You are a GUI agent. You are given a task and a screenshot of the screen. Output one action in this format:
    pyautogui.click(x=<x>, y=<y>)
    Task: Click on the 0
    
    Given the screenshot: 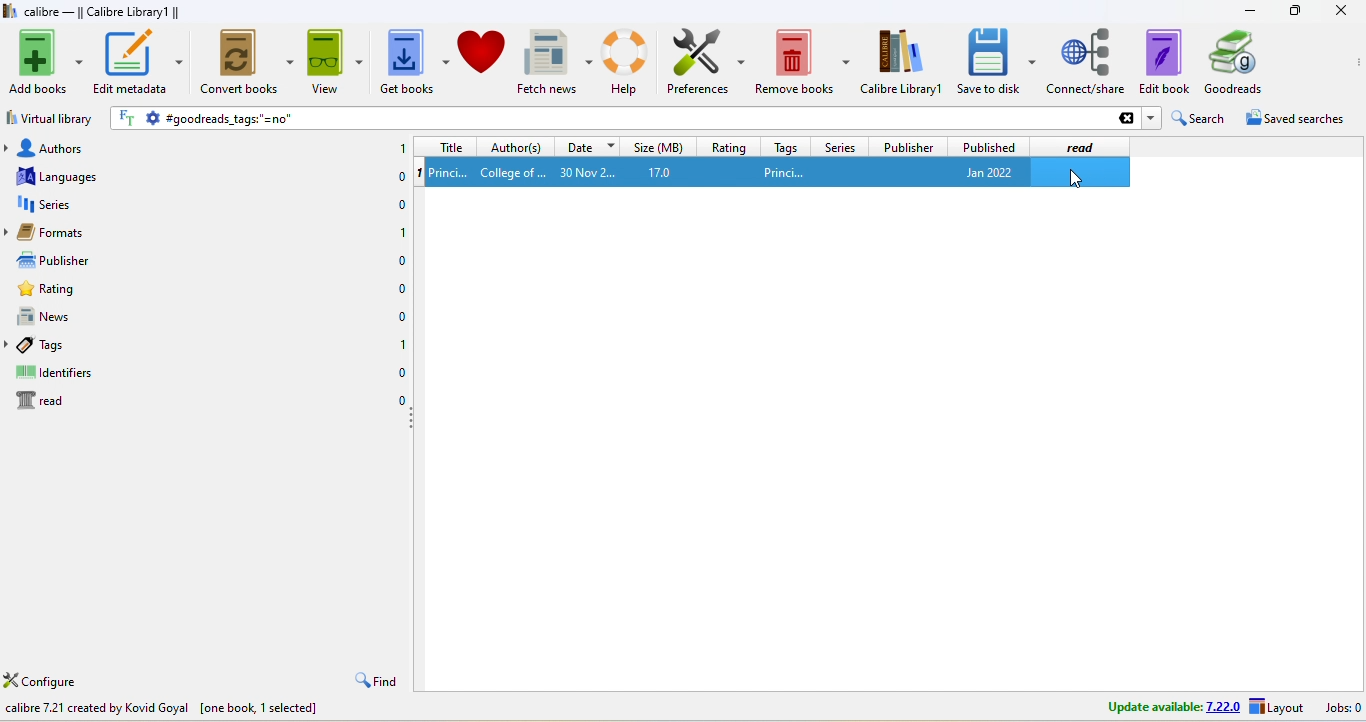 What is the action you would take?
    pyautogui.click(x=400, y=289)
    